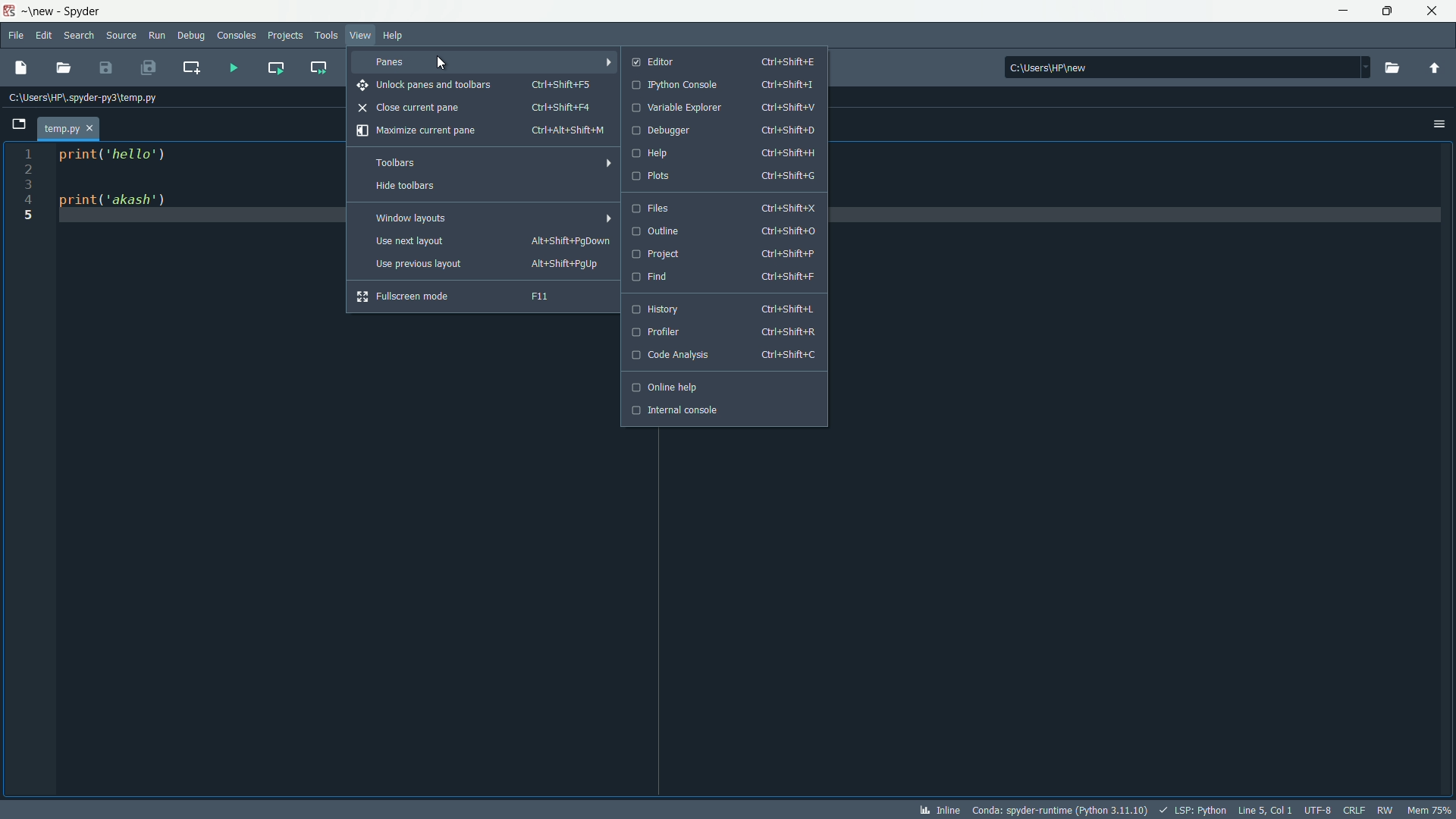 The width and height of the screenshot is (1456, 819). Describe the element at coordinates (26, 187) in the screenshot. I see `line number` at that location.